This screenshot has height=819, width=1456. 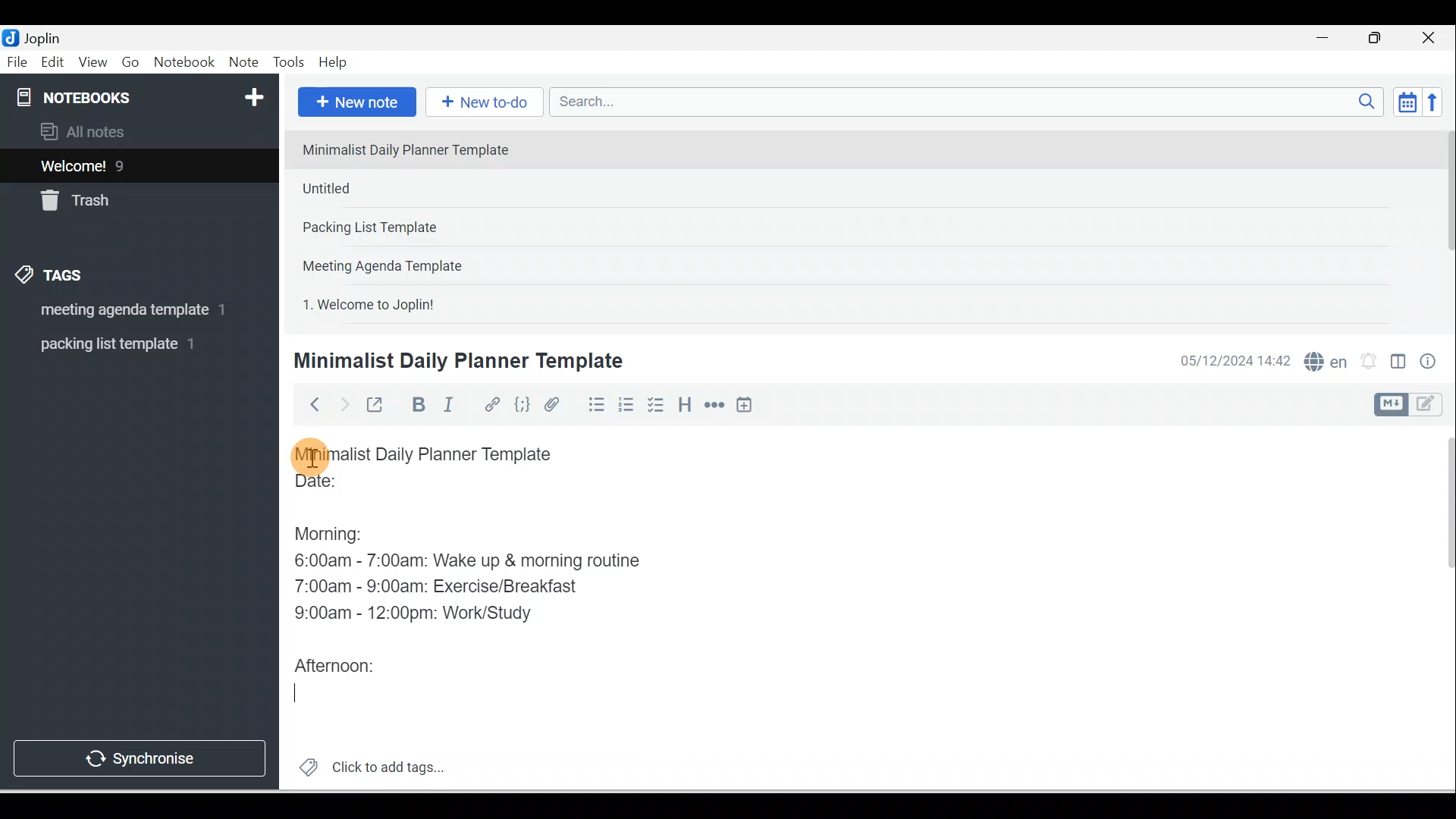 I want to click on Note 5, so click(x=424, y=303).